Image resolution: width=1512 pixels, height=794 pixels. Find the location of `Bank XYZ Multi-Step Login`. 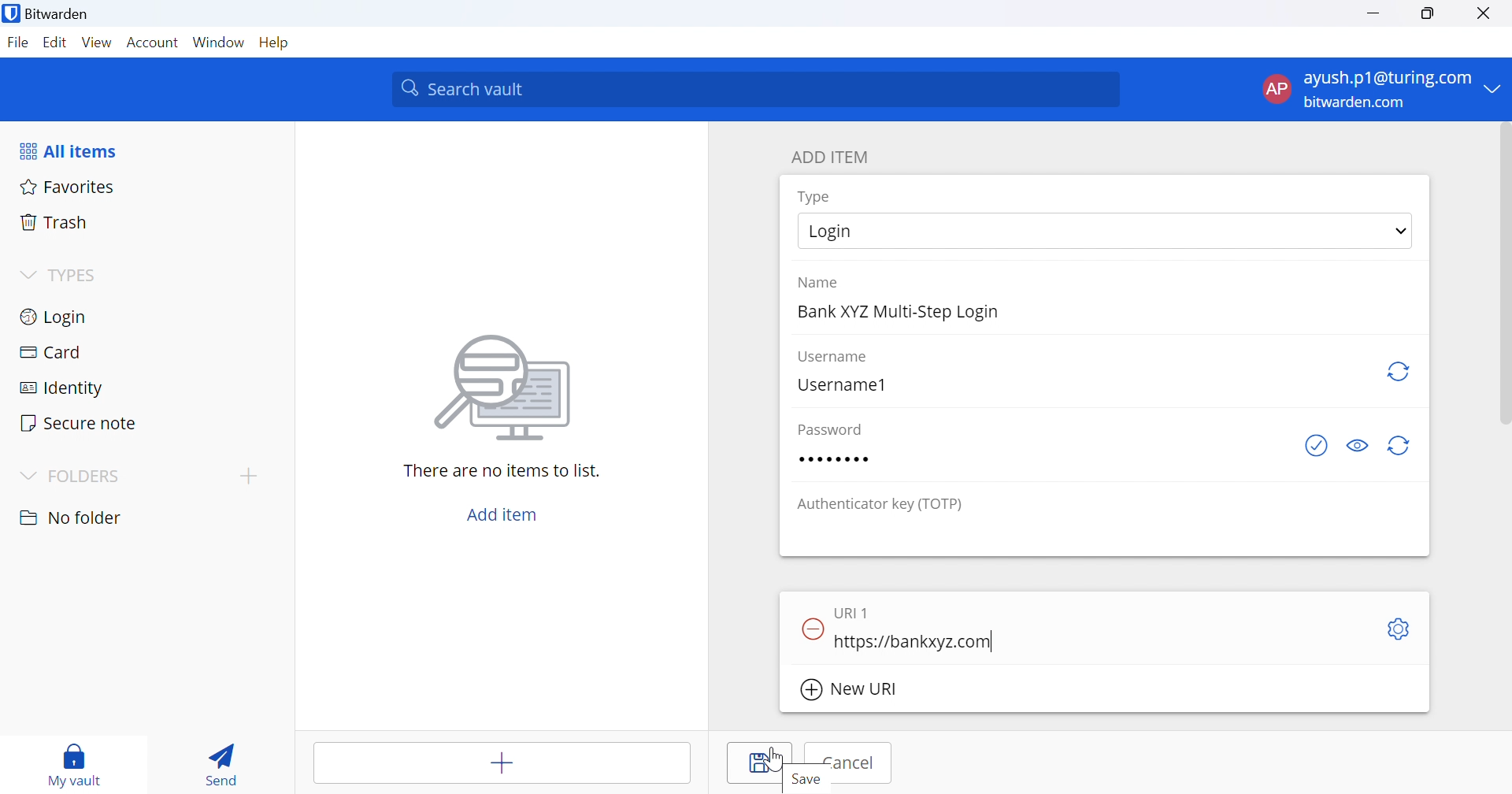

Bank XYZ Multi-Step Login is located at coordinates (900, 313).